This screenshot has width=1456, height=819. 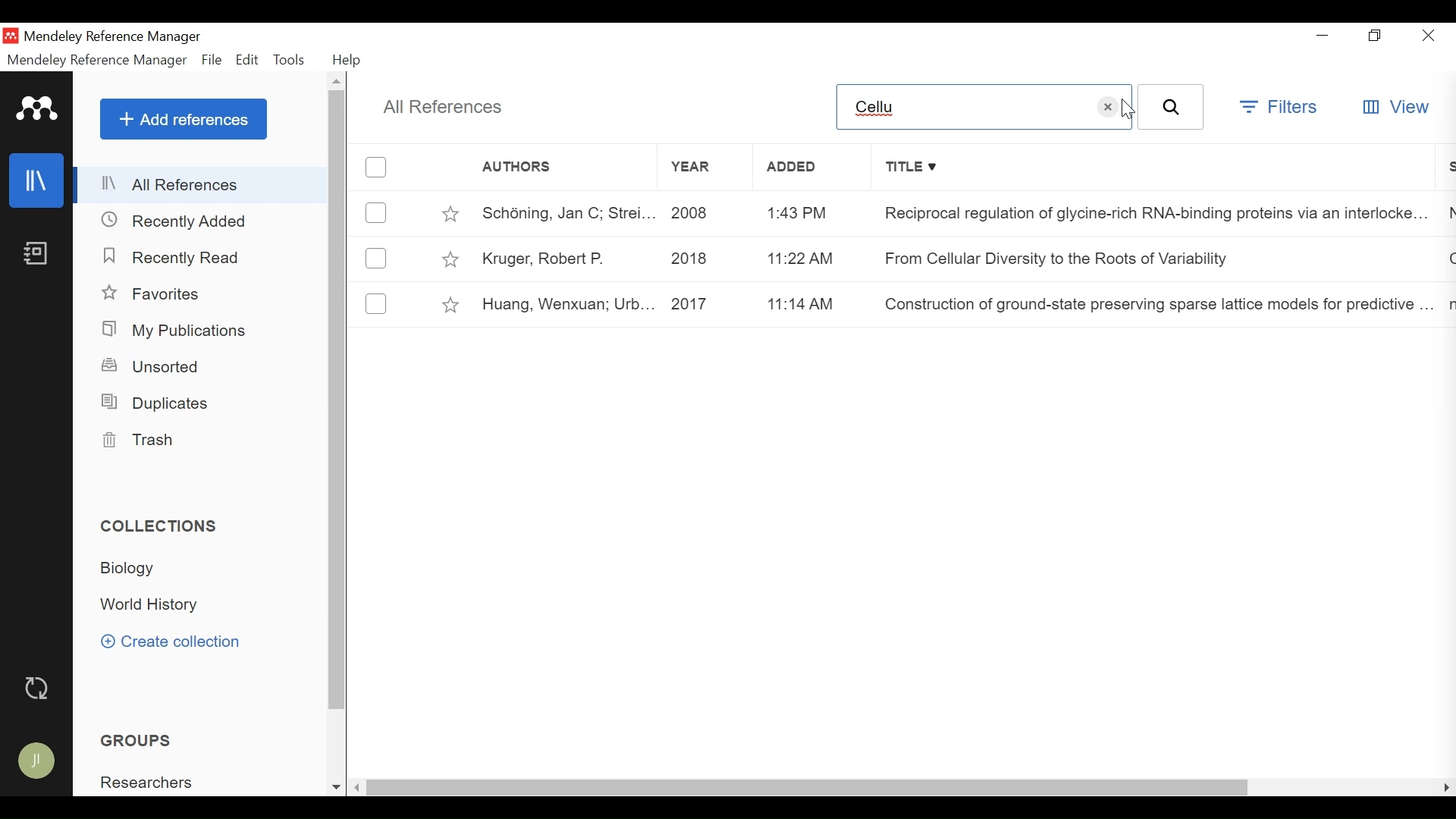 I want to click on From Cellular Diversity to the Roots of Variability, so click(x=1060, y=257).